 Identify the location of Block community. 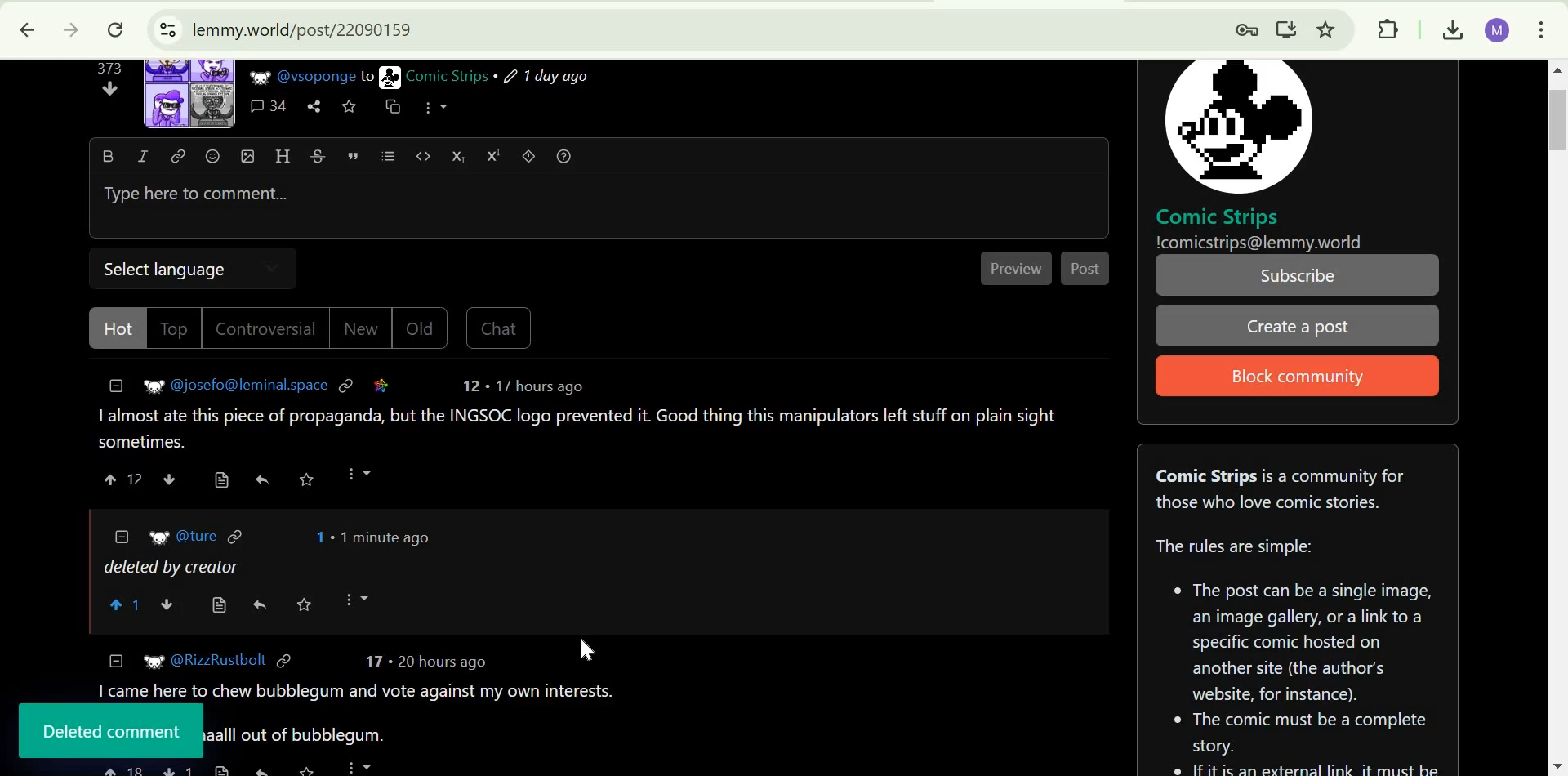
(1292, 377).